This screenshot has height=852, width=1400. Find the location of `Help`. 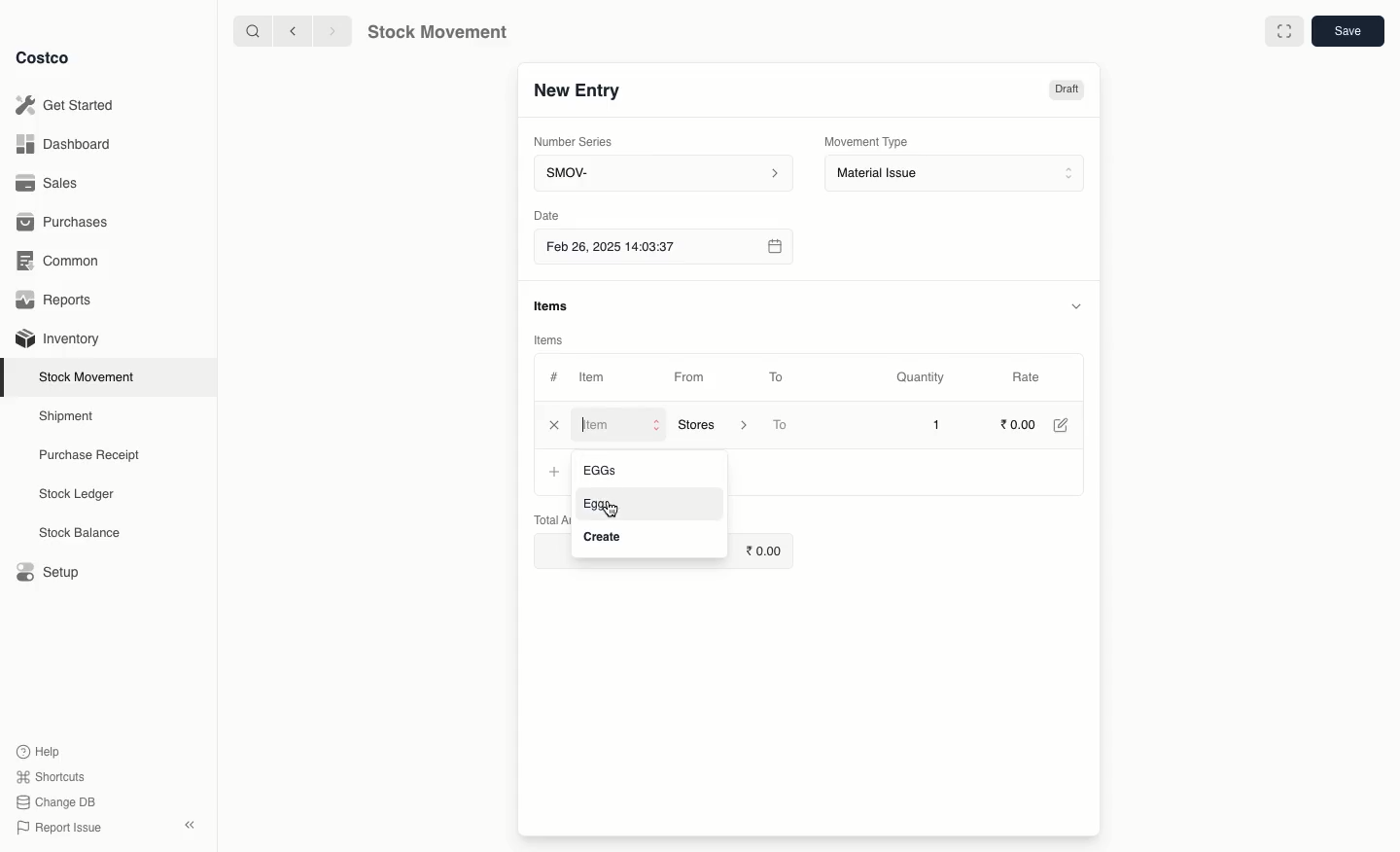

Help is located at coordinates (40, 749).